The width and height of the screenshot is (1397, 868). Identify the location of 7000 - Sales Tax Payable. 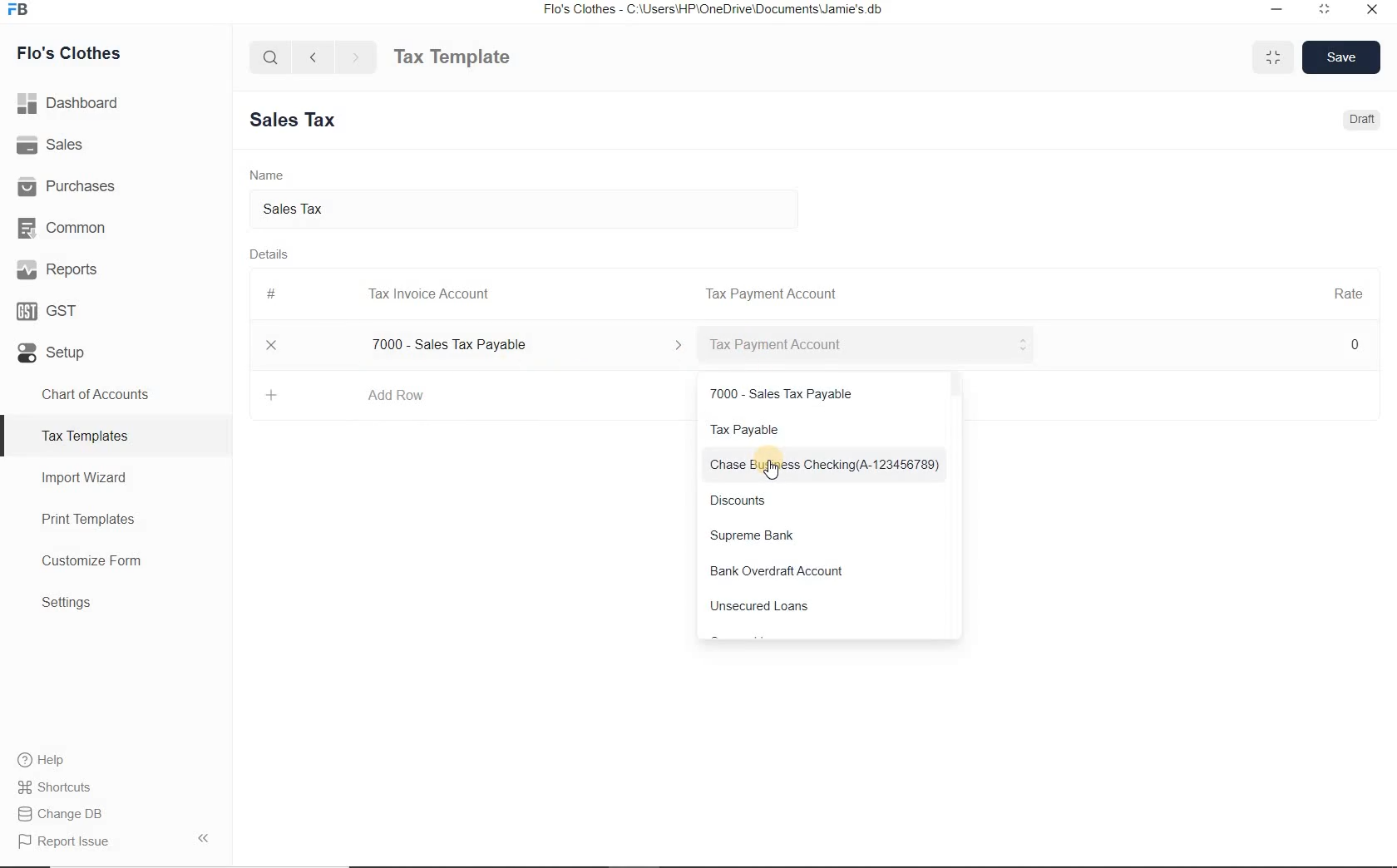
(522, 345).